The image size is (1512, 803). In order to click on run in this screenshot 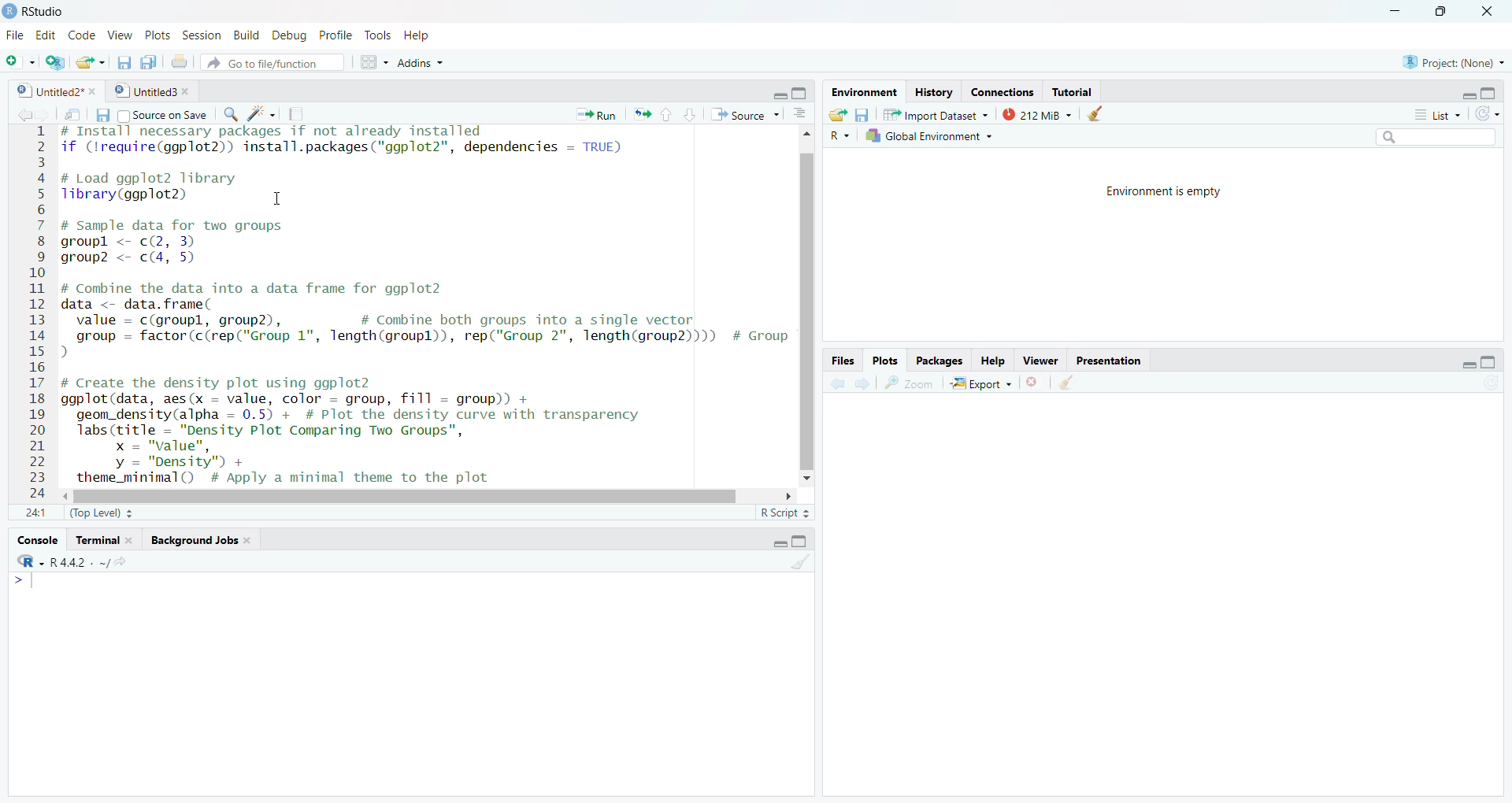, I will do `click(591, 115)`.